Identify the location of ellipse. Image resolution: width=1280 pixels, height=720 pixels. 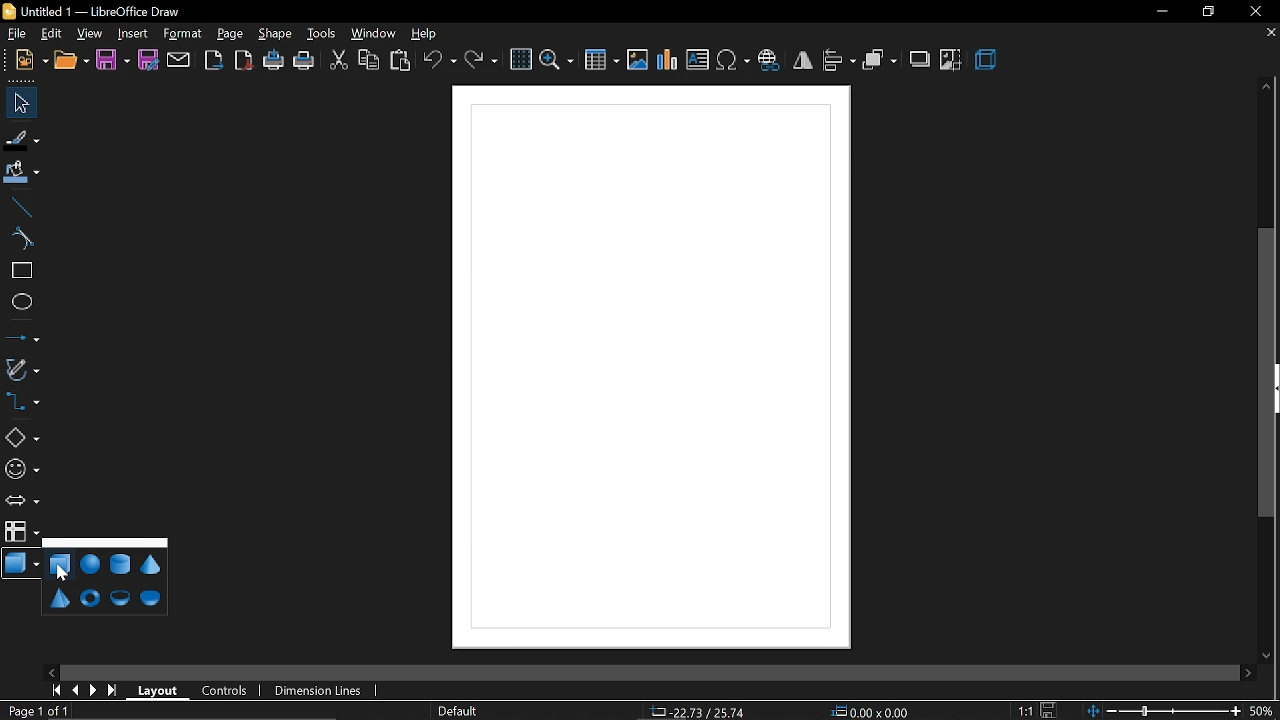
(23, 304).